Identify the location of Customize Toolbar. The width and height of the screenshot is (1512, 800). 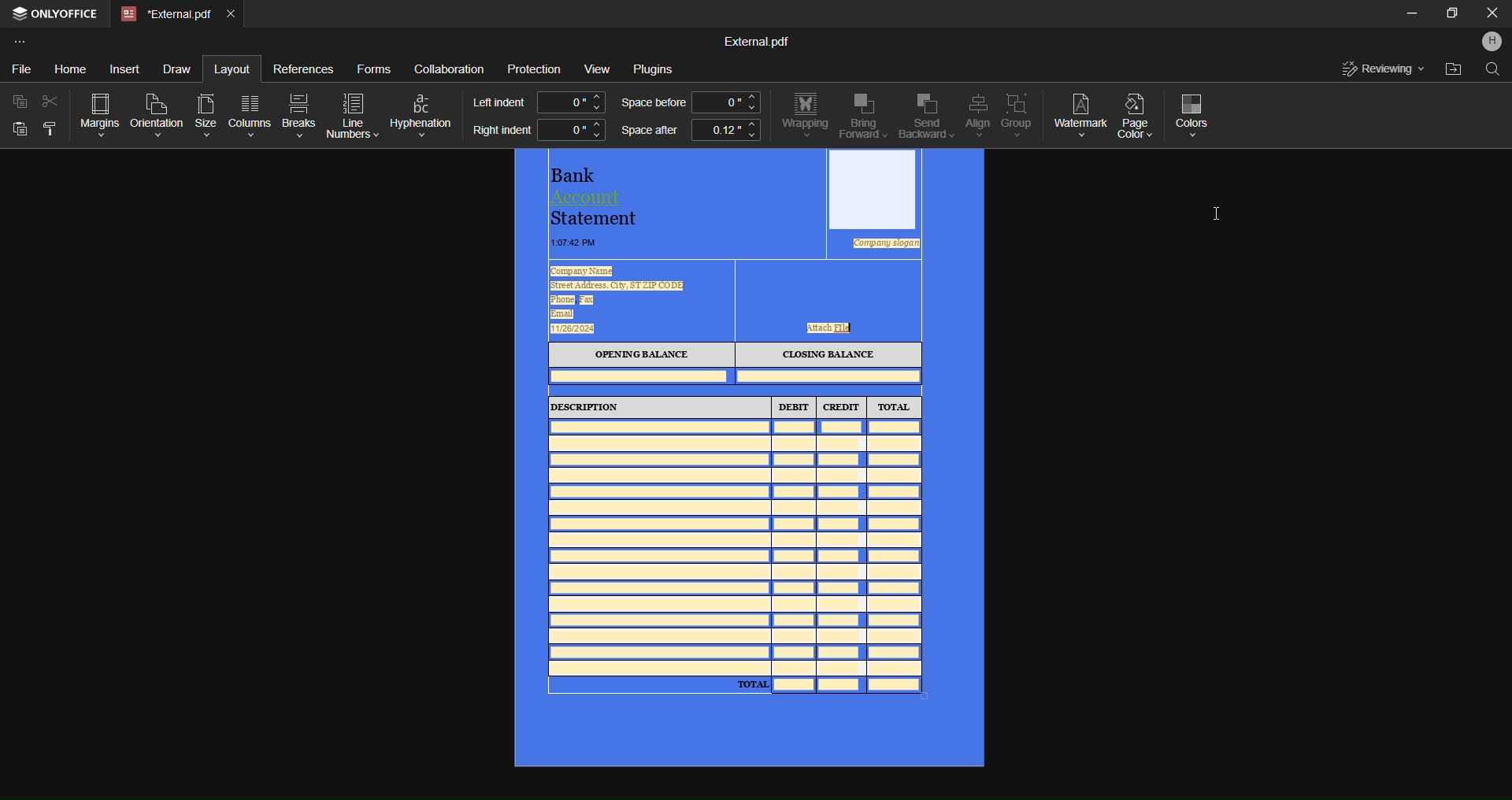
(20, 42).